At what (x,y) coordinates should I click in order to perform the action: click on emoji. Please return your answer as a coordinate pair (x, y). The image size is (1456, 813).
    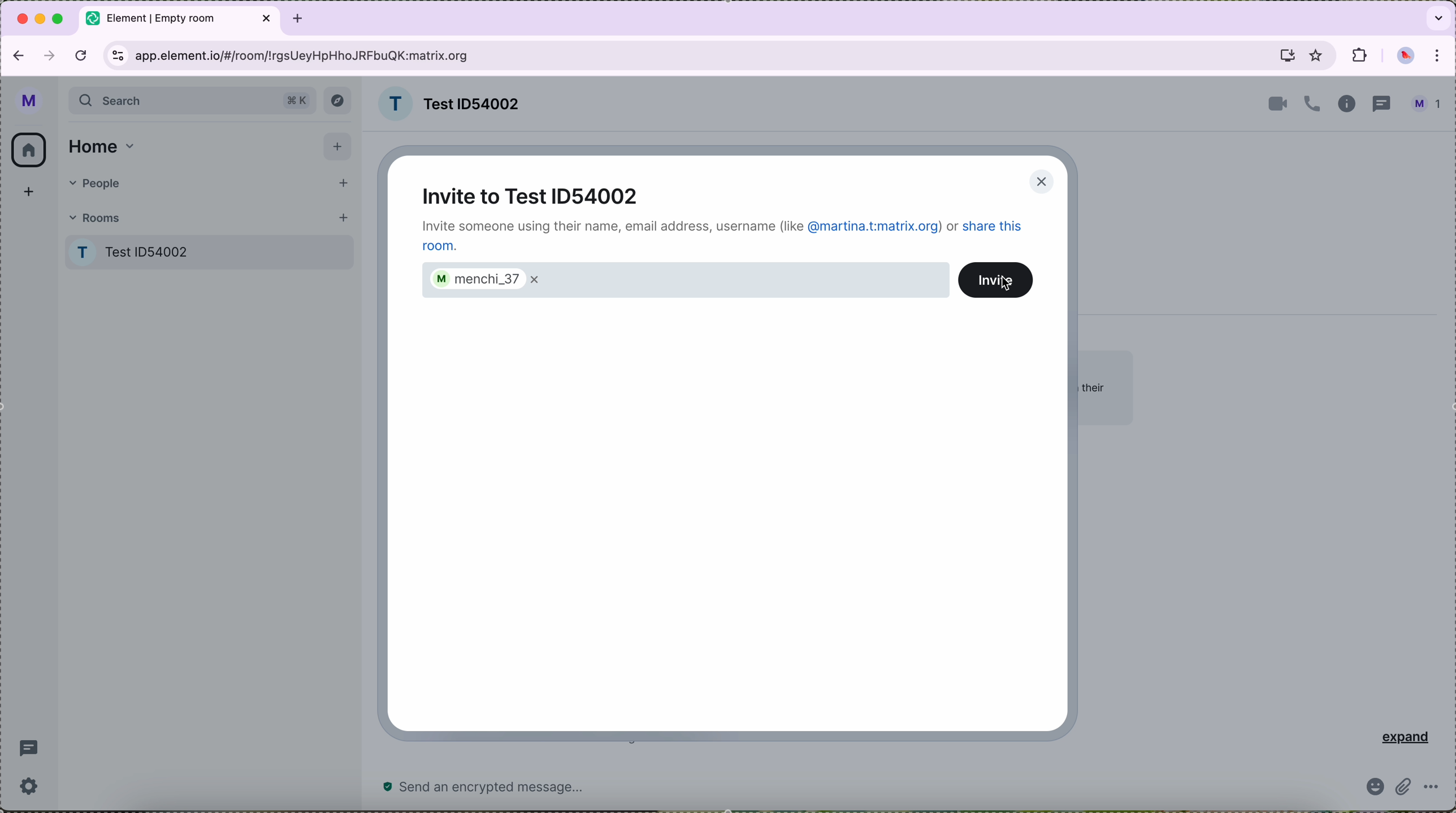
    Looking at the image, I should click on (1376, 788).